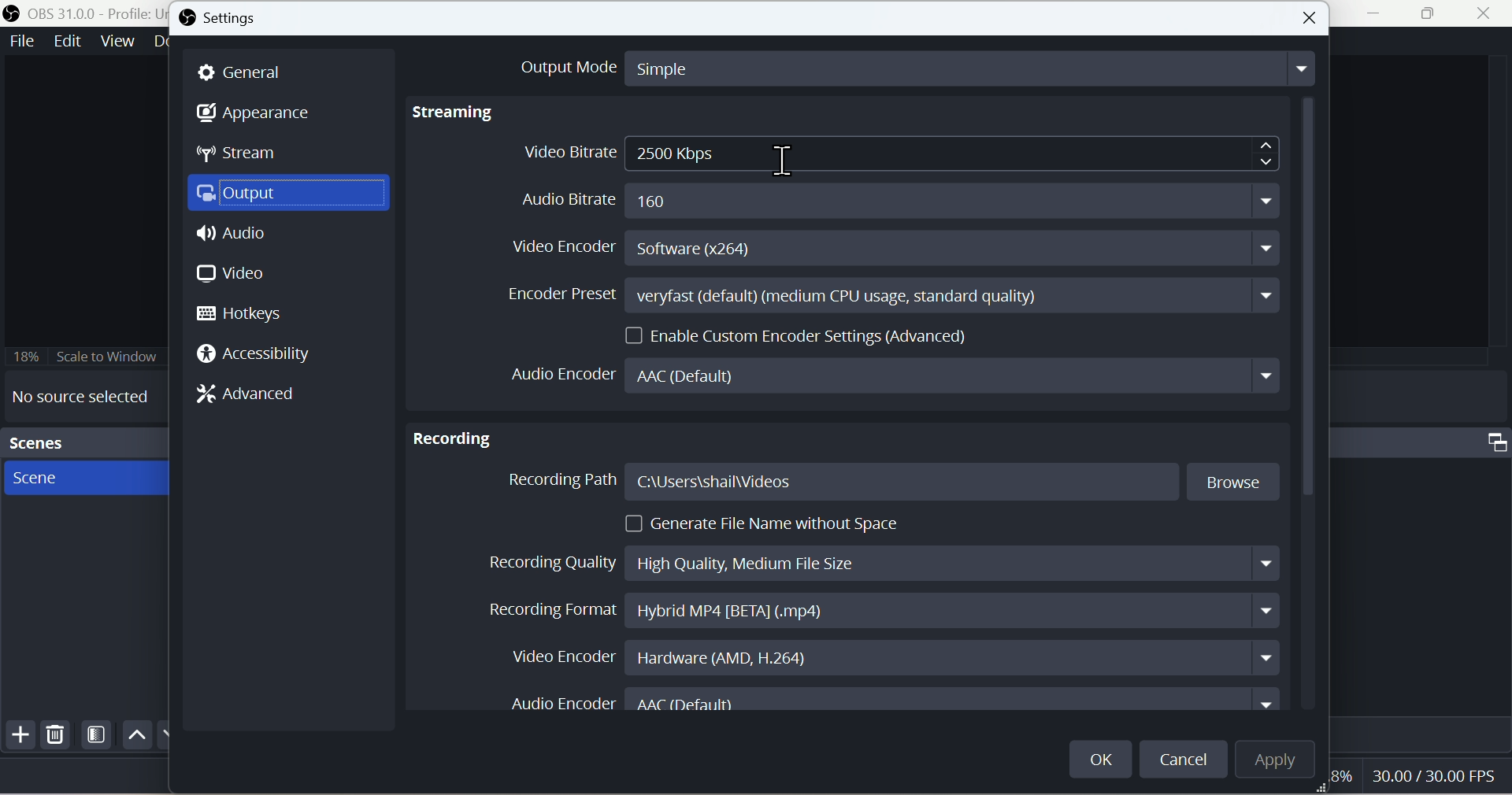 The height and width of the screenshot is (795, 1512). I want to click on Hotkeys, so click(248, 313).